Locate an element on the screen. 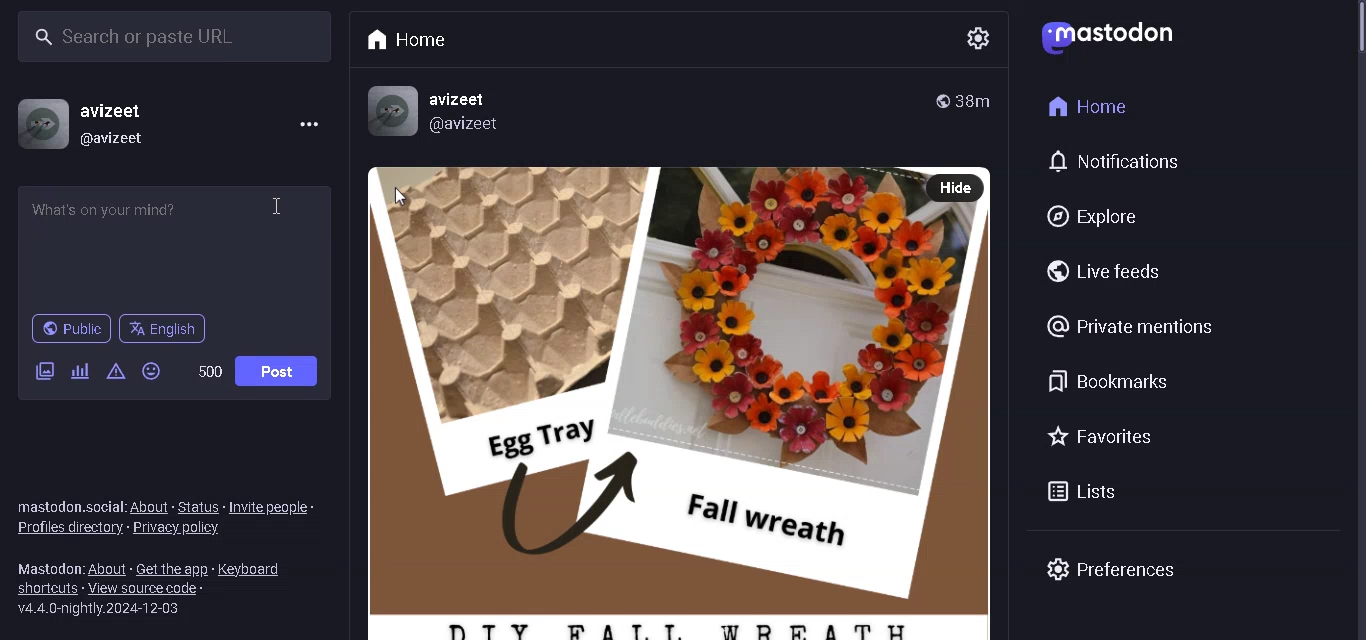 This screenshot has width=1366, height=640. home is located at coordinates (1088, 104).